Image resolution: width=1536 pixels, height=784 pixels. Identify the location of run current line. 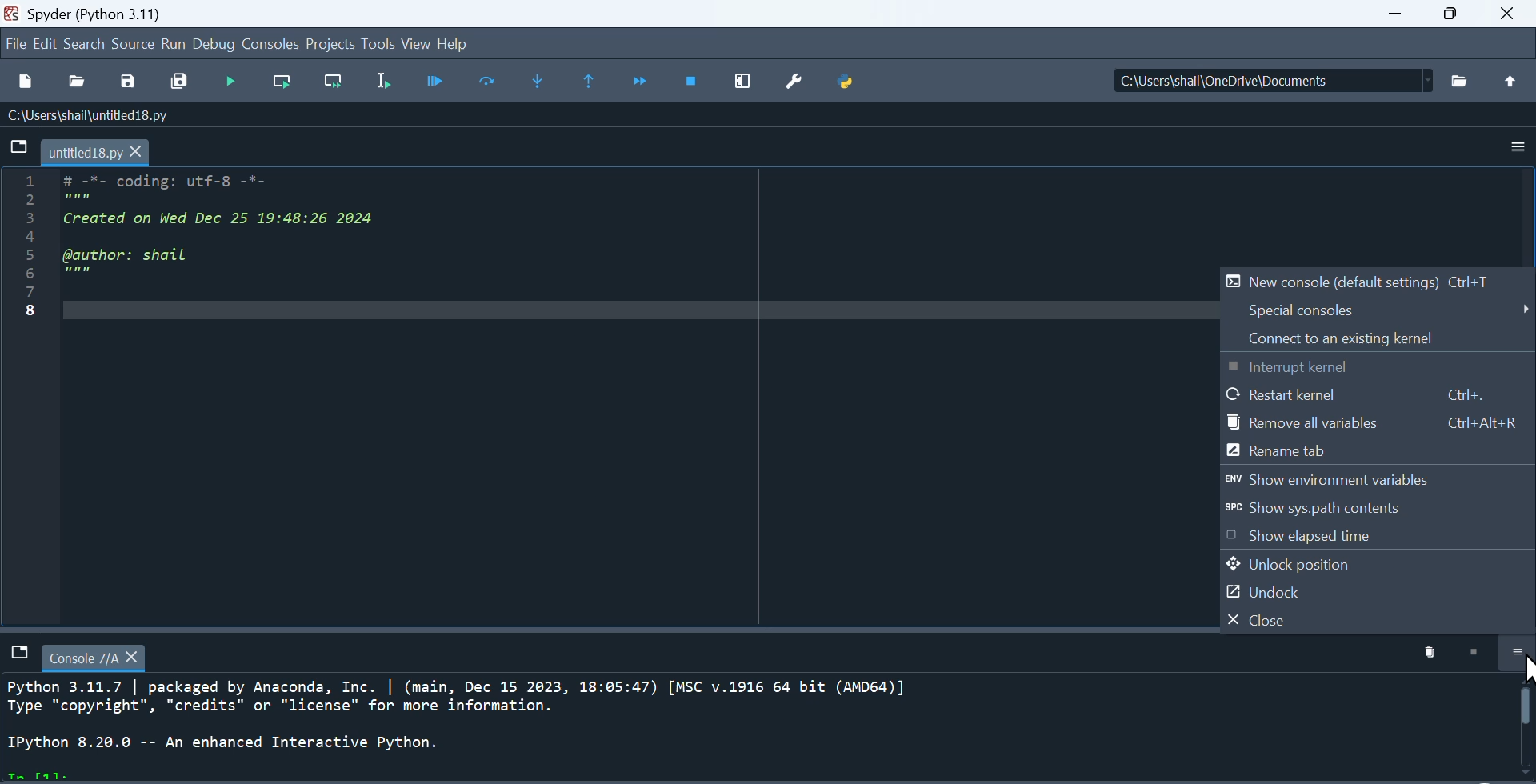
(486, 82).